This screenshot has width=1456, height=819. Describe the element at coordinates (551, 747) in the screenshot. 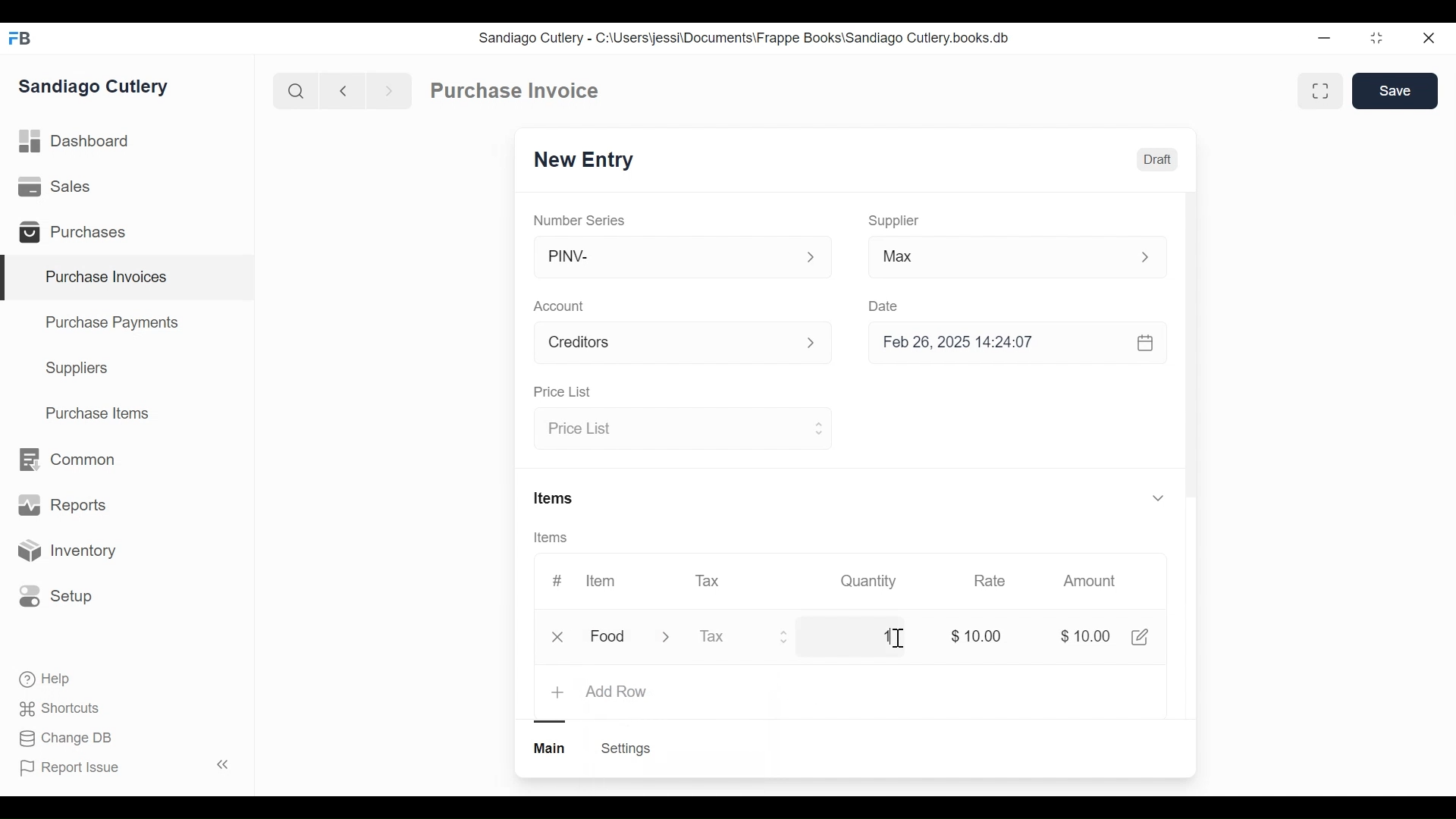

I see `Main` at that location.